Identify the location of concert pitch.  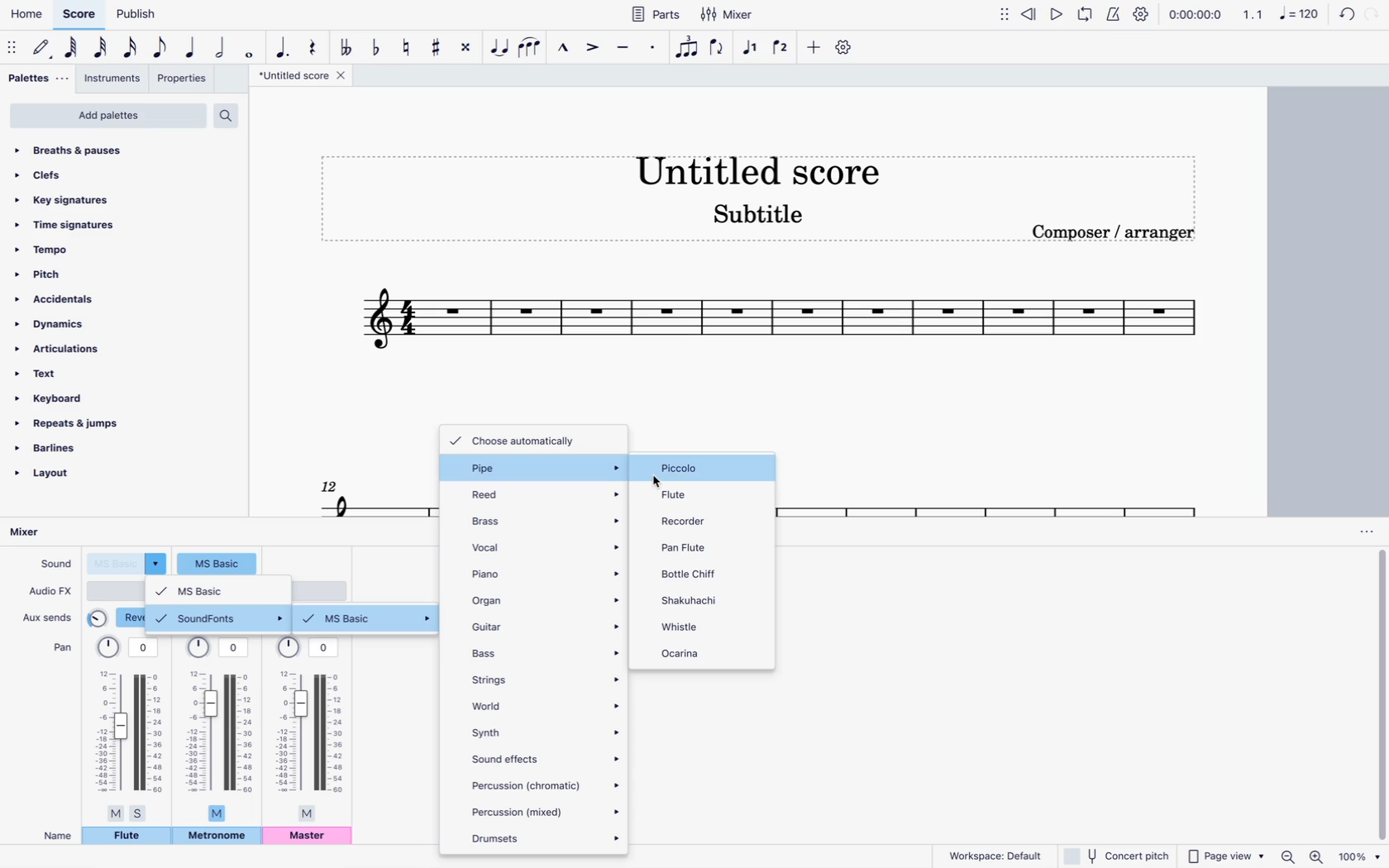
(1115, 855).